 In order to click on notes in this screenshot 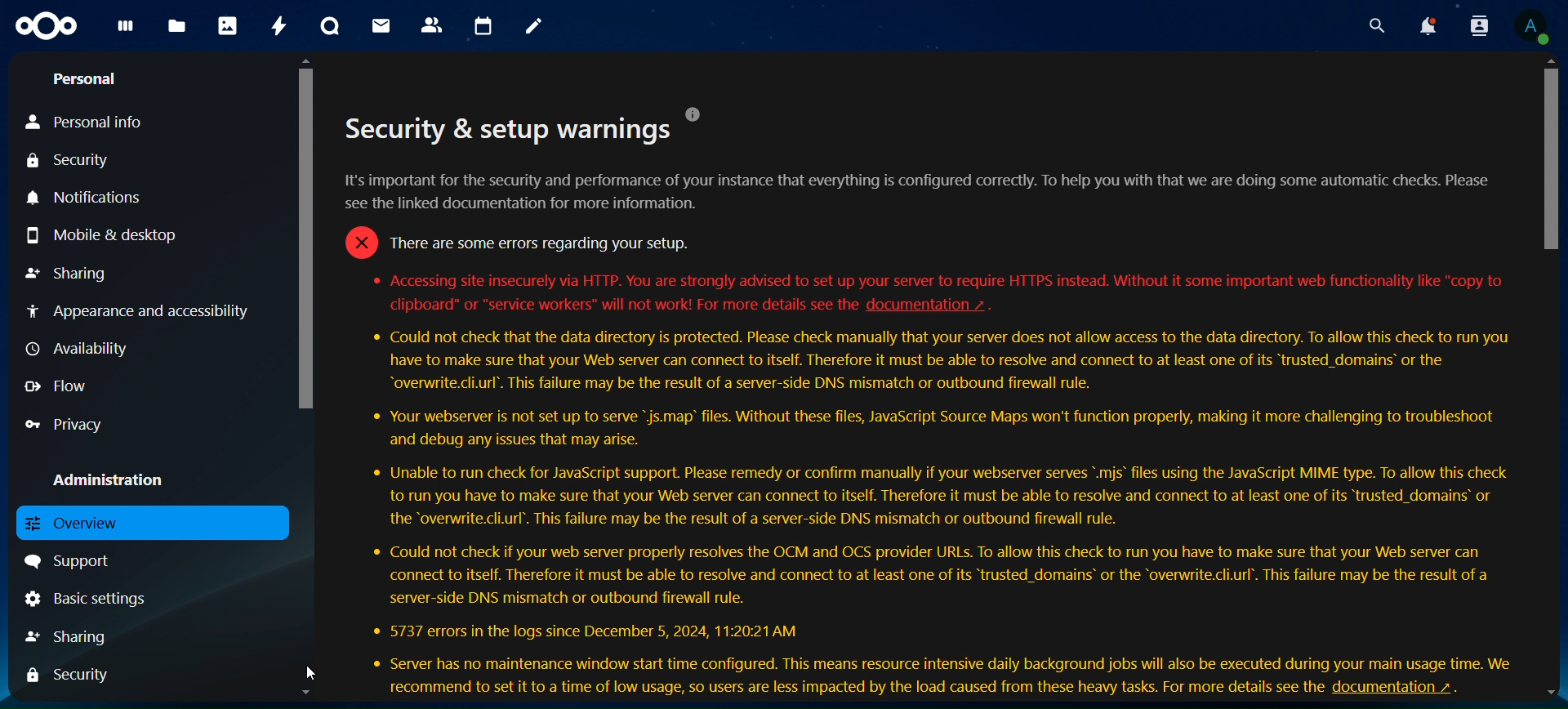, I will do `click(535, 29)`.